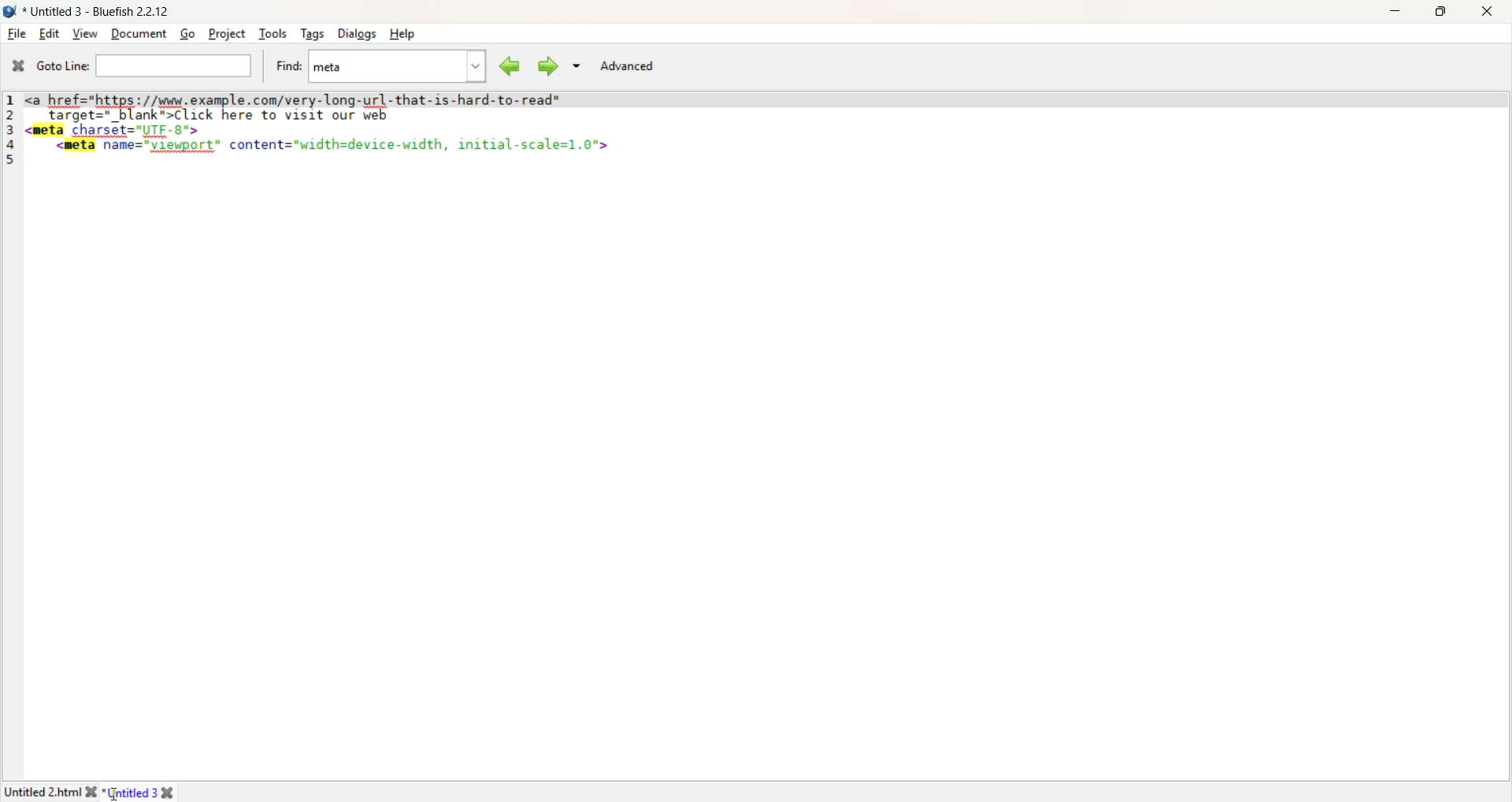 The image size is (1512, 802). I want to click on Find:, so click(286, 66).